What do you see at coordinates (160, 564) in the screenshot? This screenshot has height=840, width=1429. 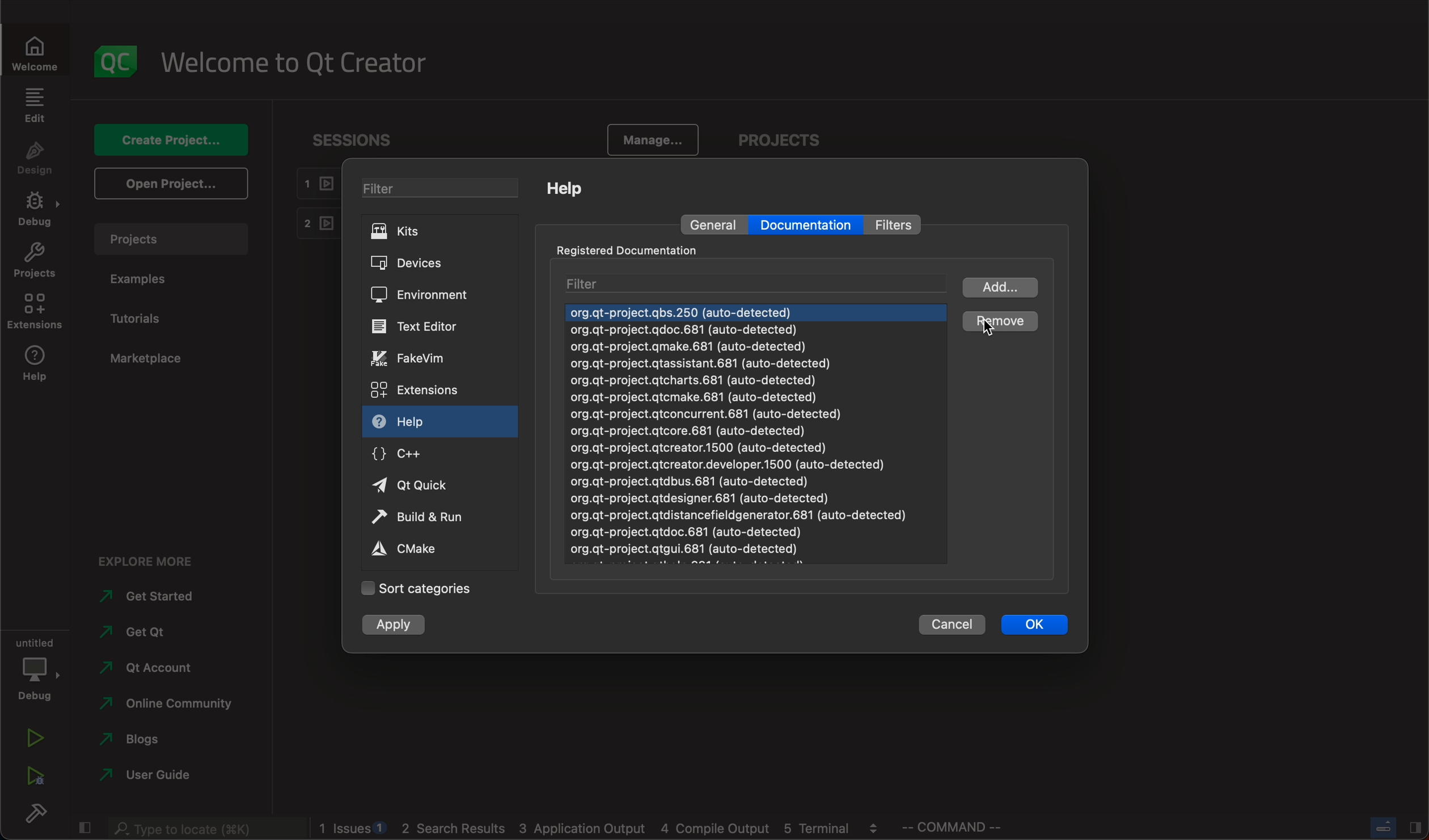 I see `explore` at bounding box center [160, 564].